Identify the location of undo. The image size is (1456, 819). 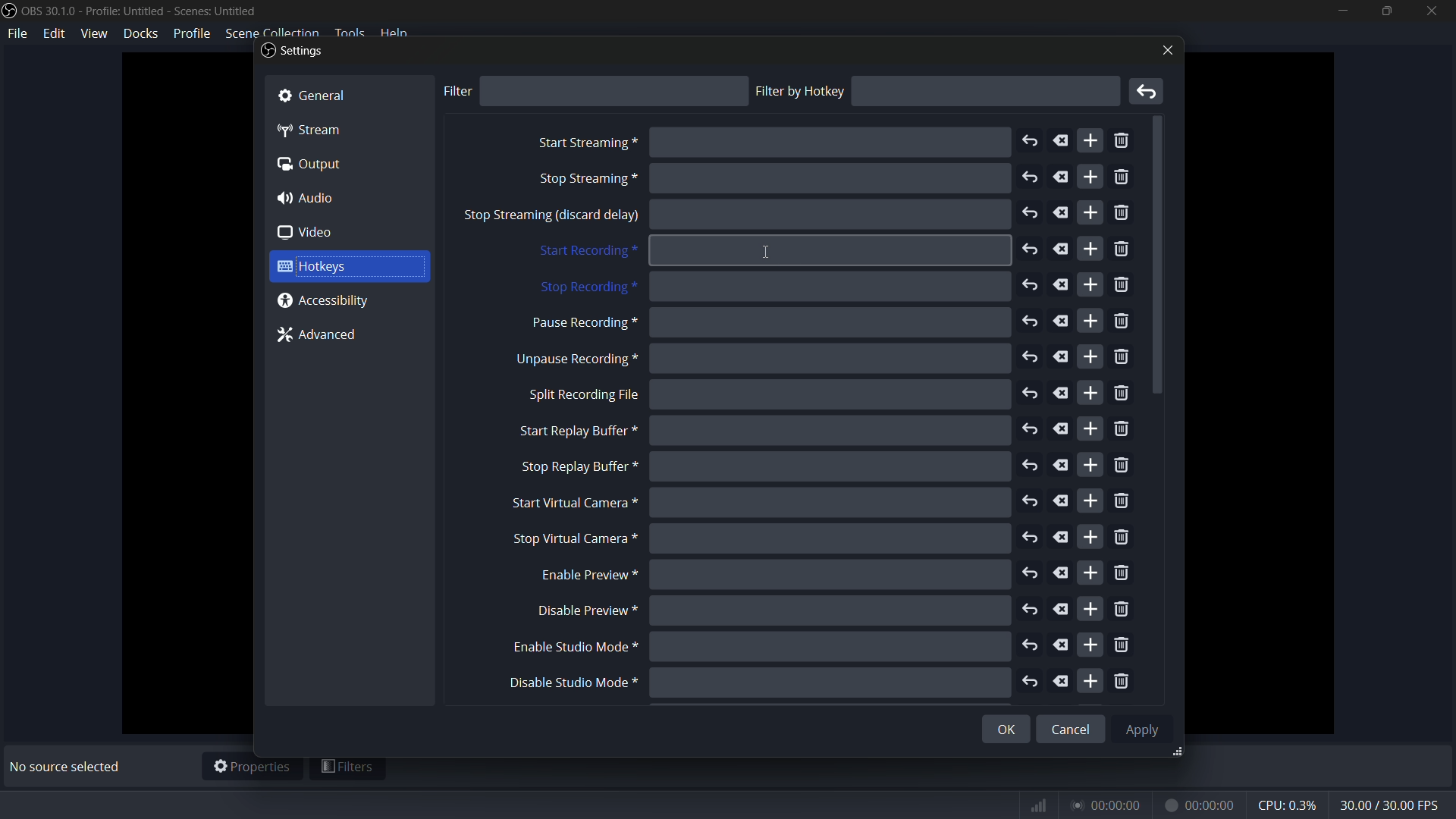
(1034, 682).